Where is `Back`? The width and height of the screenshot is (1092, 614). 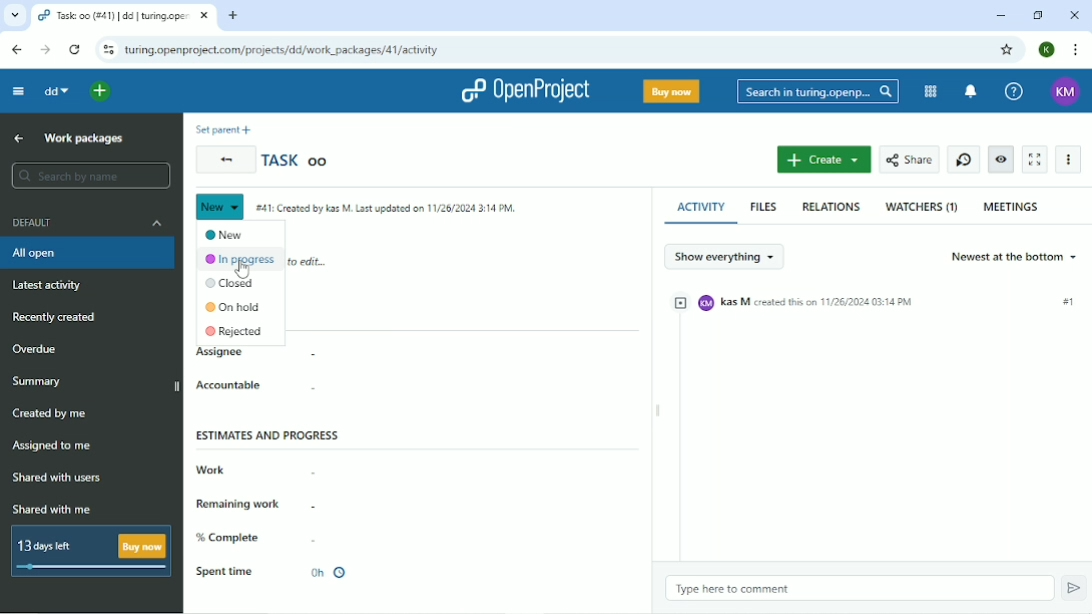 Back is located at coordinates (17, 50).